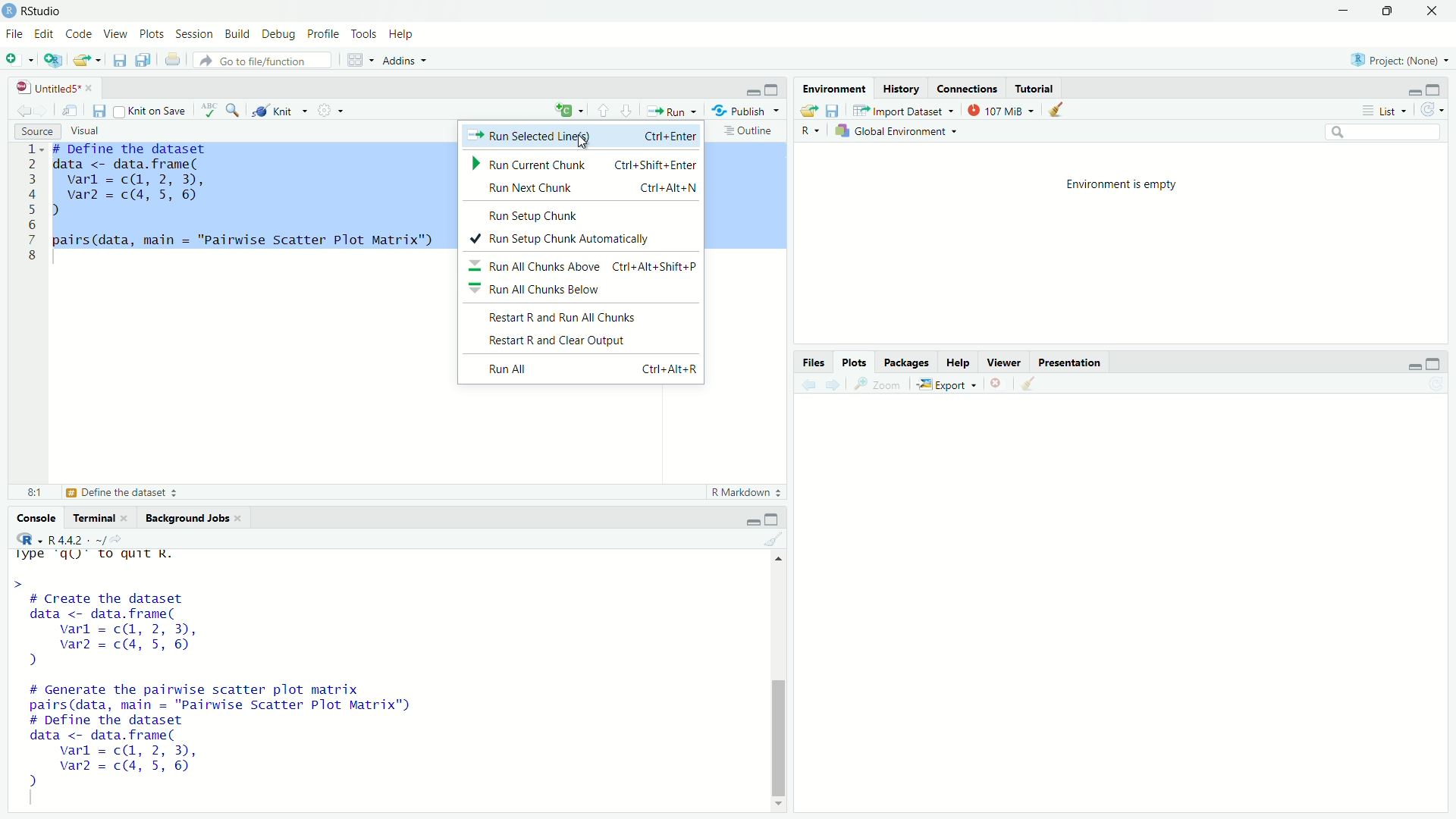 This screenshot has height=819, width=1456. I want to click on Run Selected Line Ctrl+Enter , so click(584, 135).